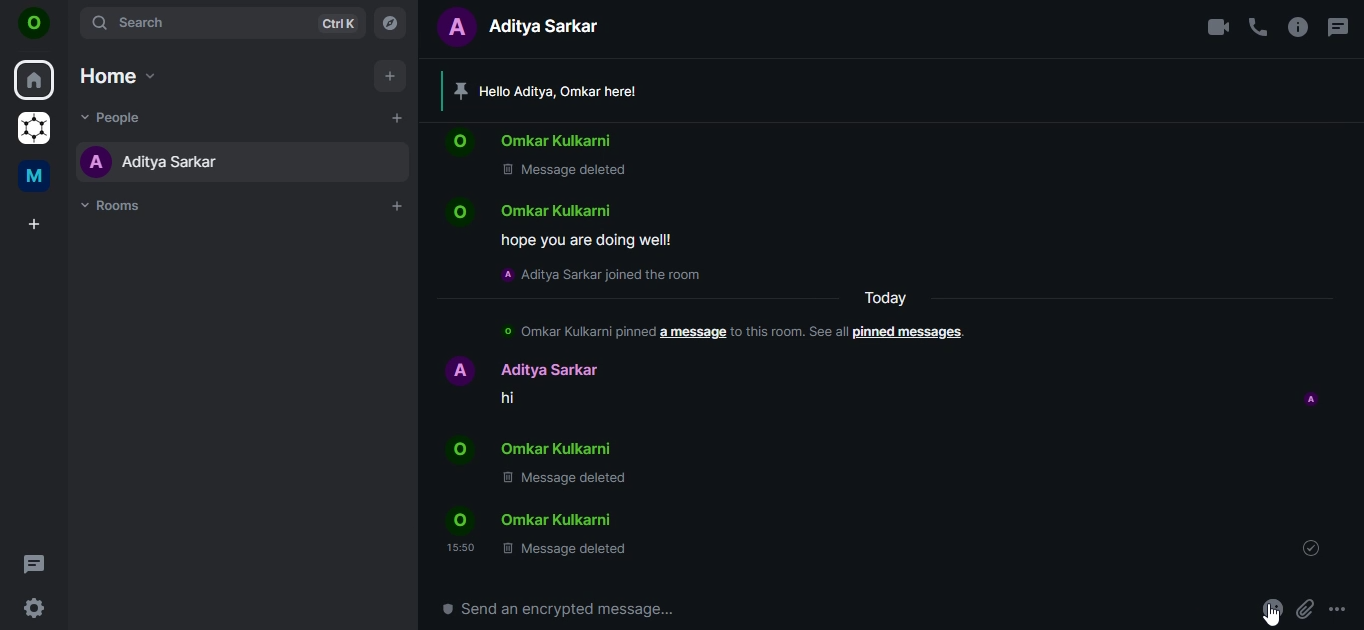 The image size is (1364, 630). I want to click on on, so click(38, 24).